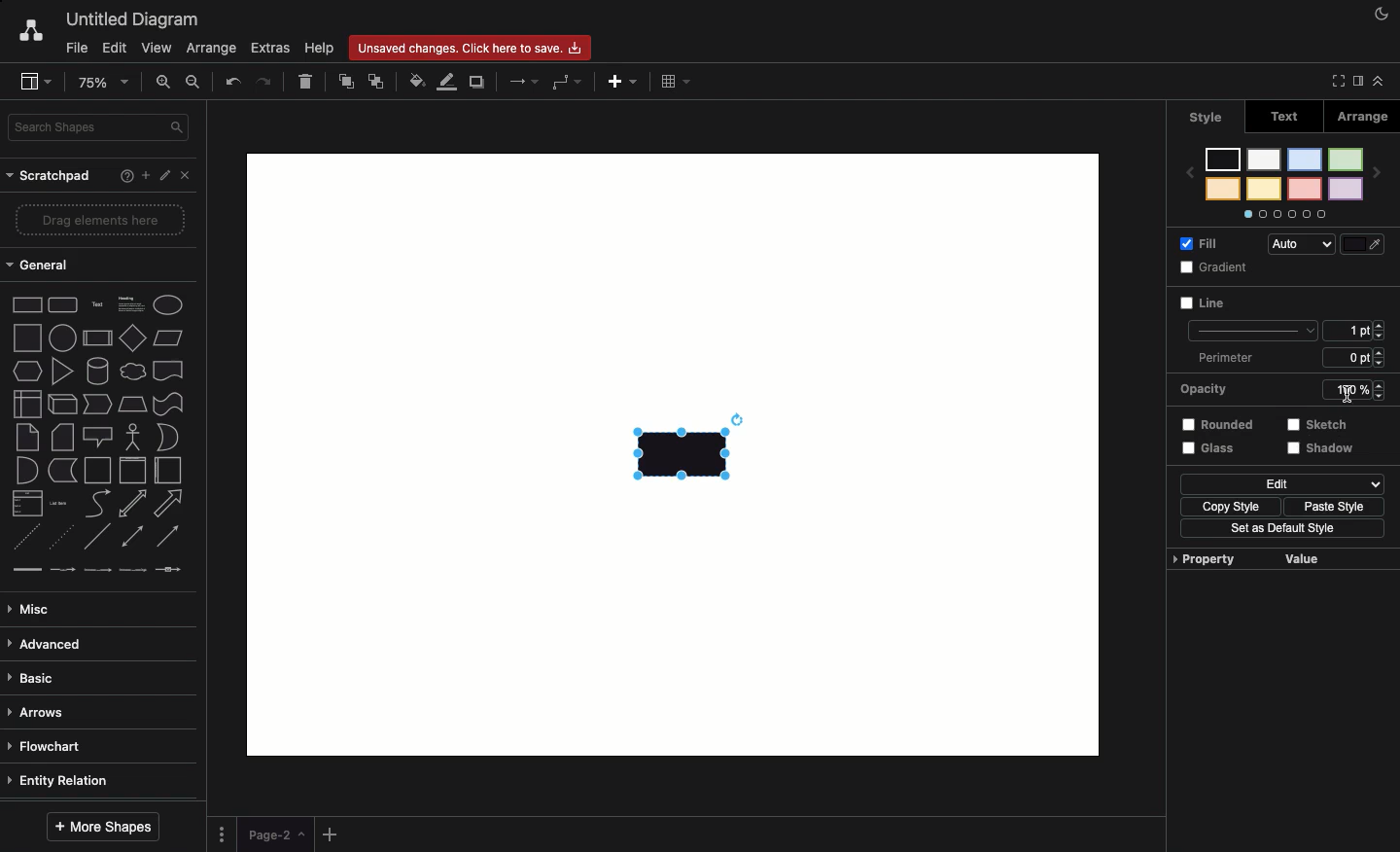 The height and width of the screenshot is (852, 1400). What do you see at coordinates (1264, 160) in the screenshot?
I see `color 5` at bounding box center [1264, 160].